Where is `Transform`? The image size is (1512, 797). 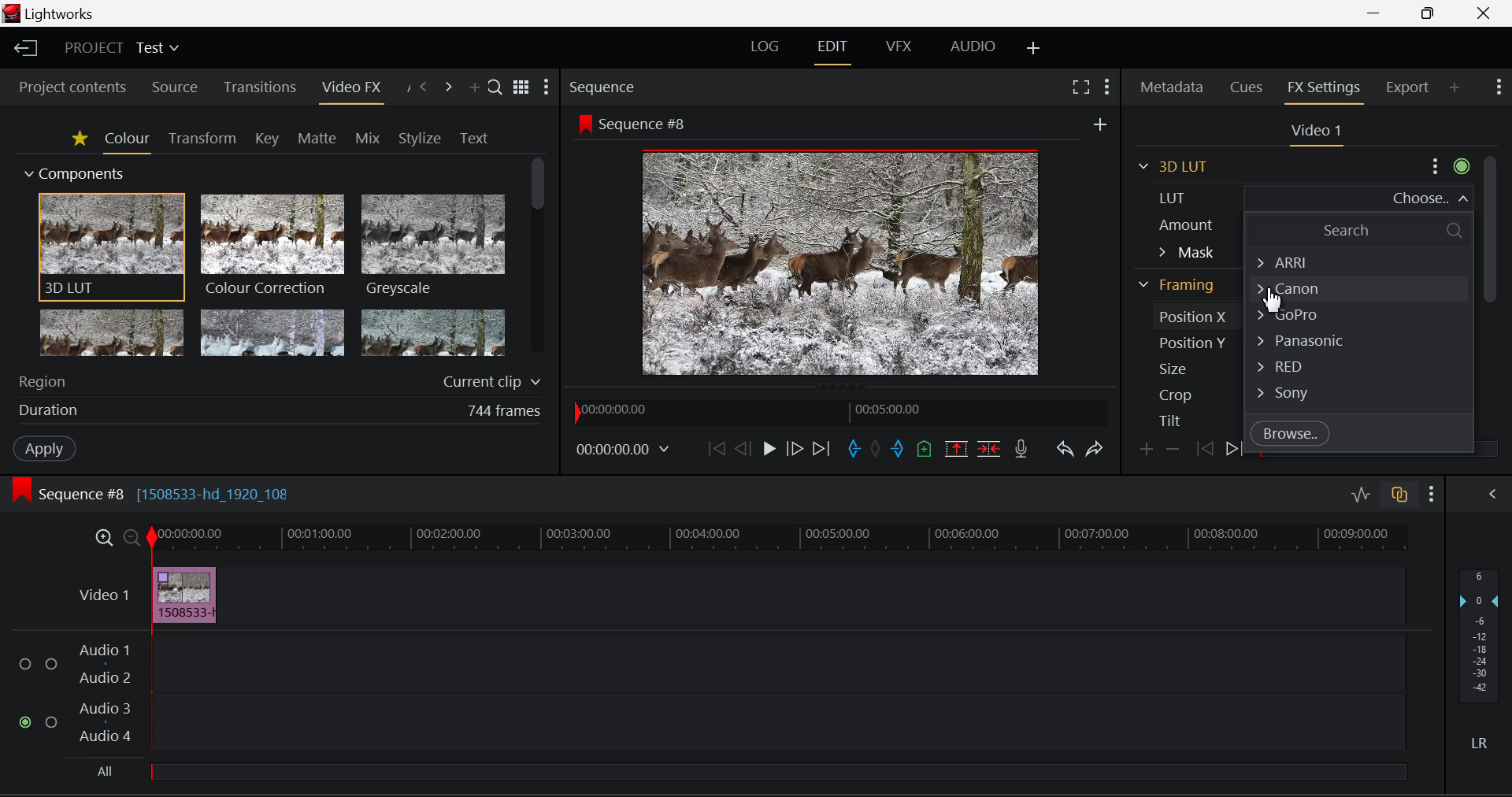 Transform is located at coordinates (200, 139).